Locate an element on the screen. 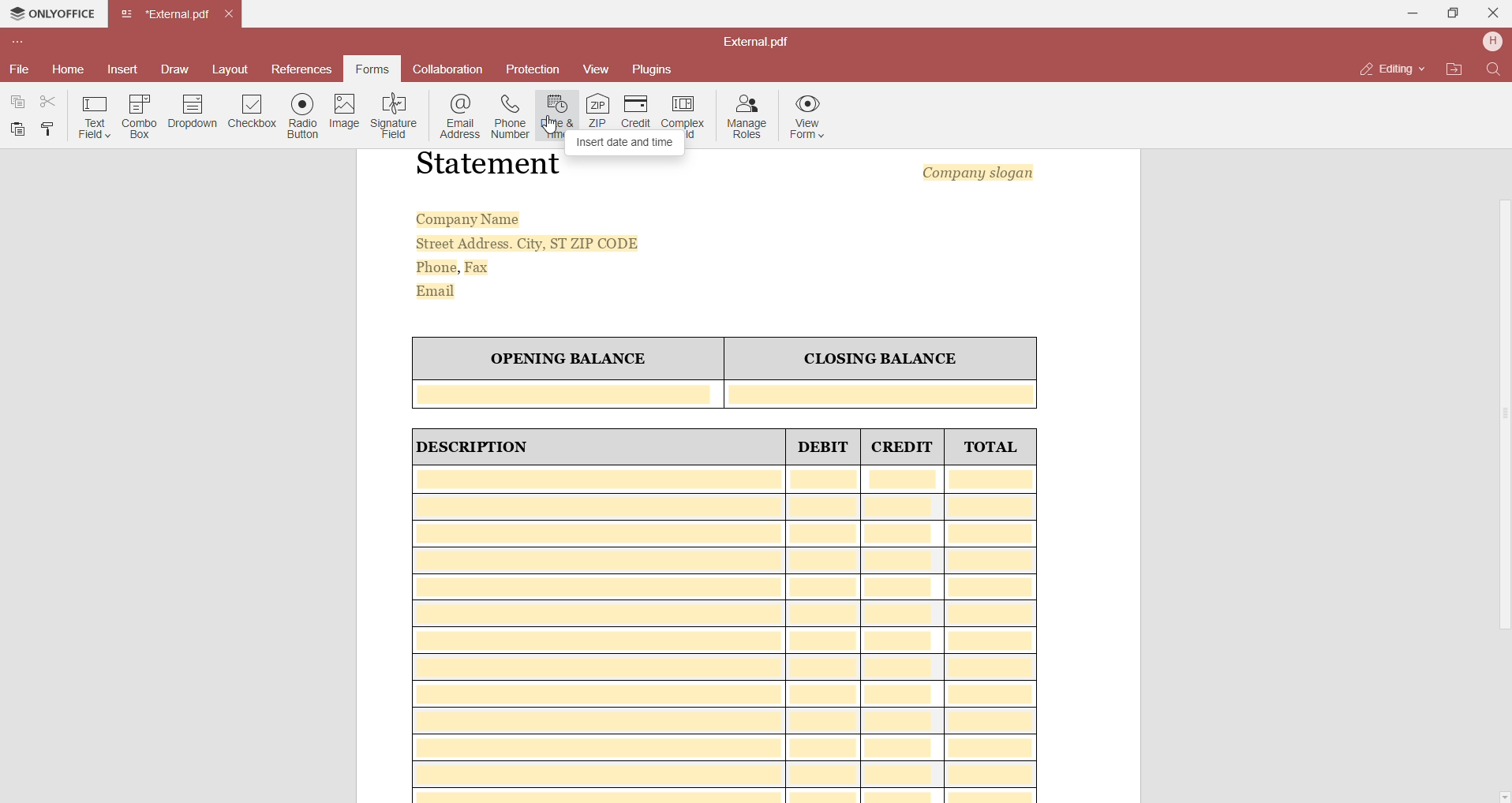 The image size is (1512, 803). Tab name(External.pdf) is located at coordinates (166, 15).